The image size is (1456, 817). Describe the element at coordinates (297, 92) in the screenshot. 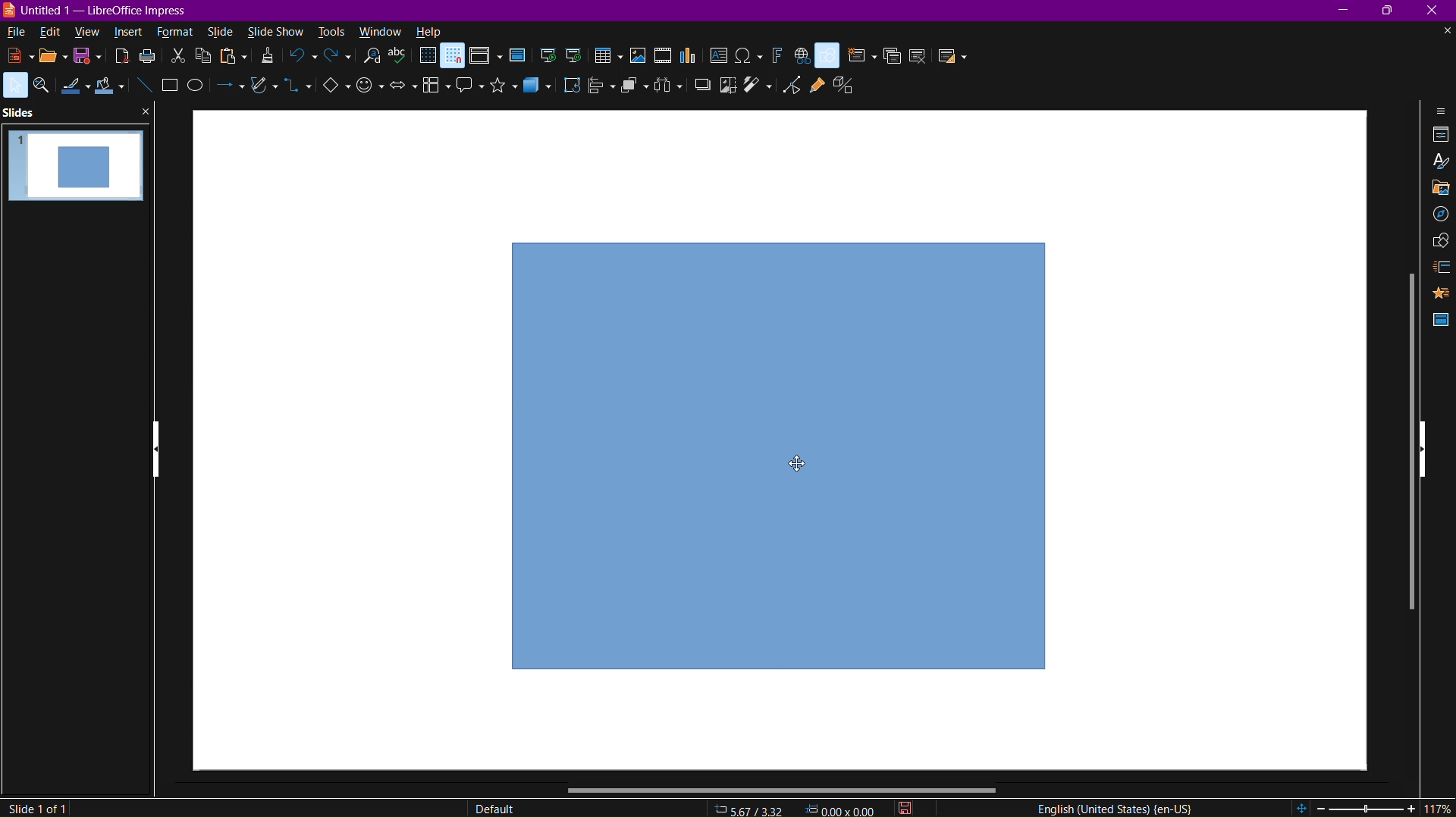

I see `Connectors` at that location.